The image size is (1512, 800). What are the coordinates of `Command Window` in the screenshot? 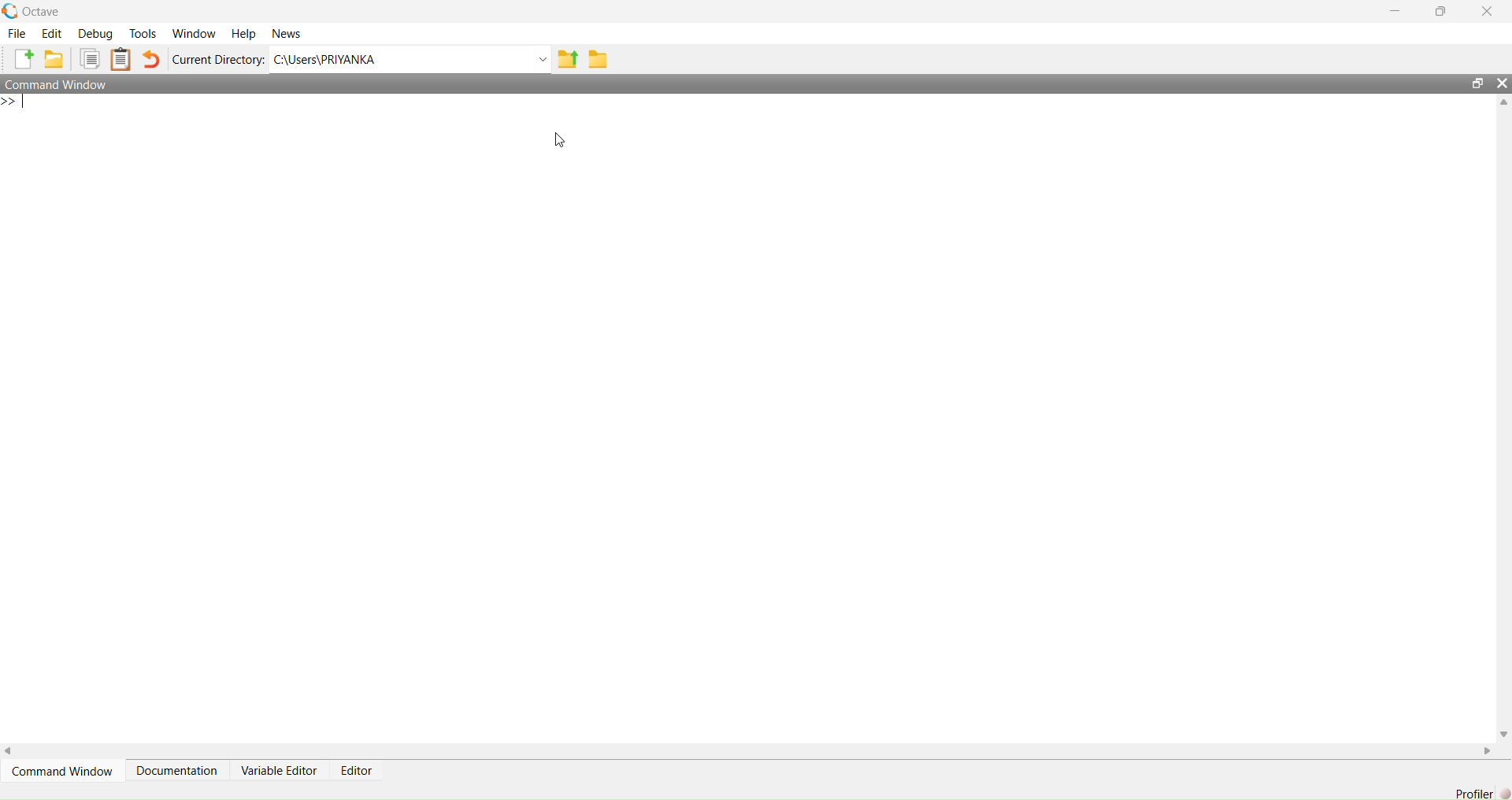 It's located at (60, 84).